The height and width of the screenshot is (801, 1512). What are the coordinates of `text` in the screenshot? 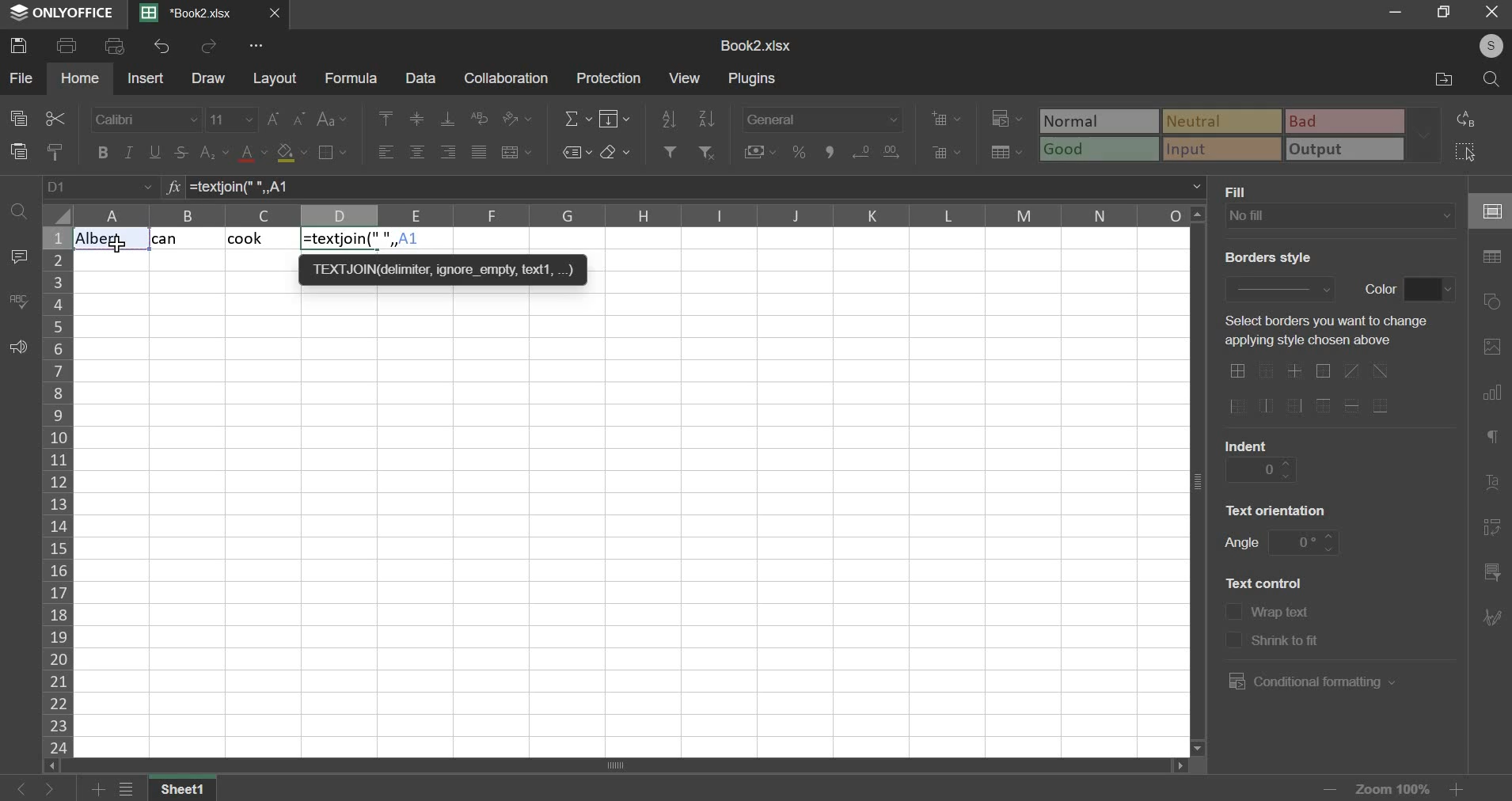 It's located at (1247, 443).